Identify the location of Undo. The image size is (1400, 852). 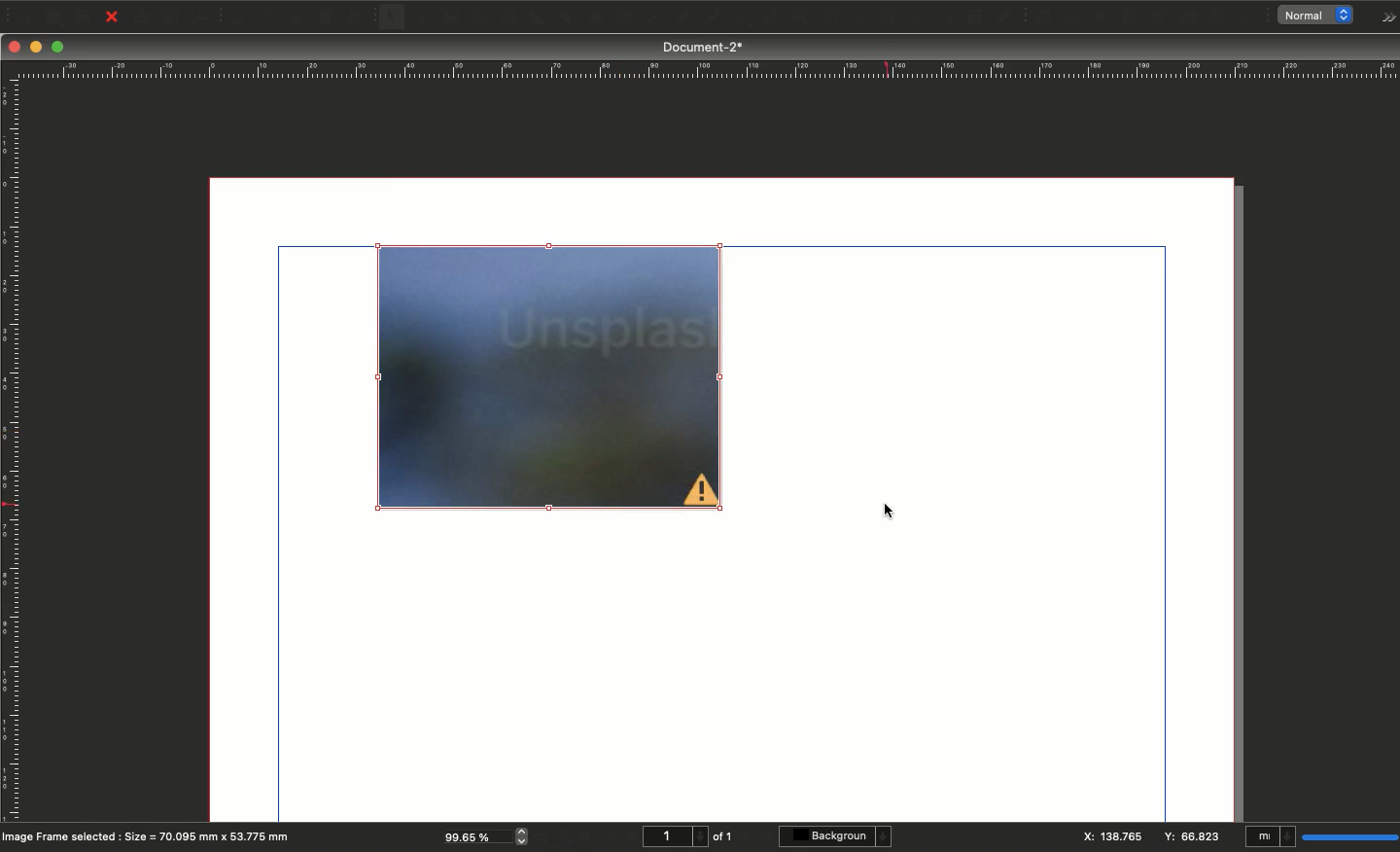
(237, 18).